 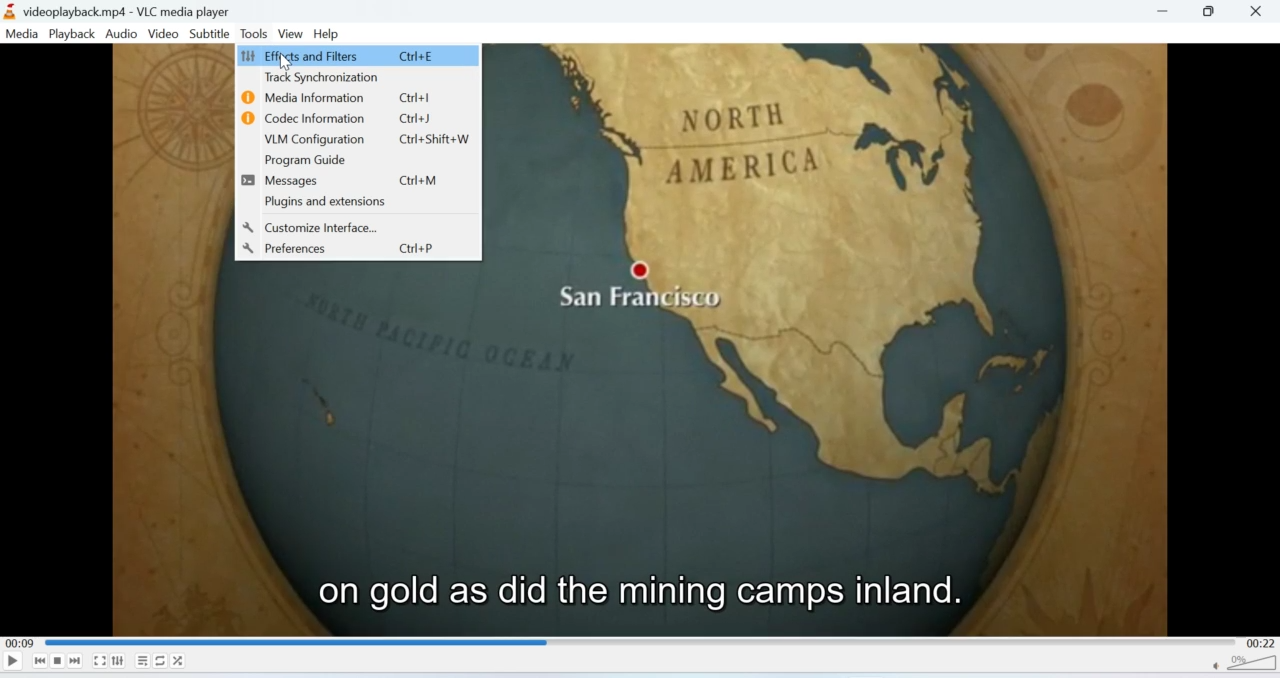 I want to click on Ctrl+E, so click(x=417, y=57).